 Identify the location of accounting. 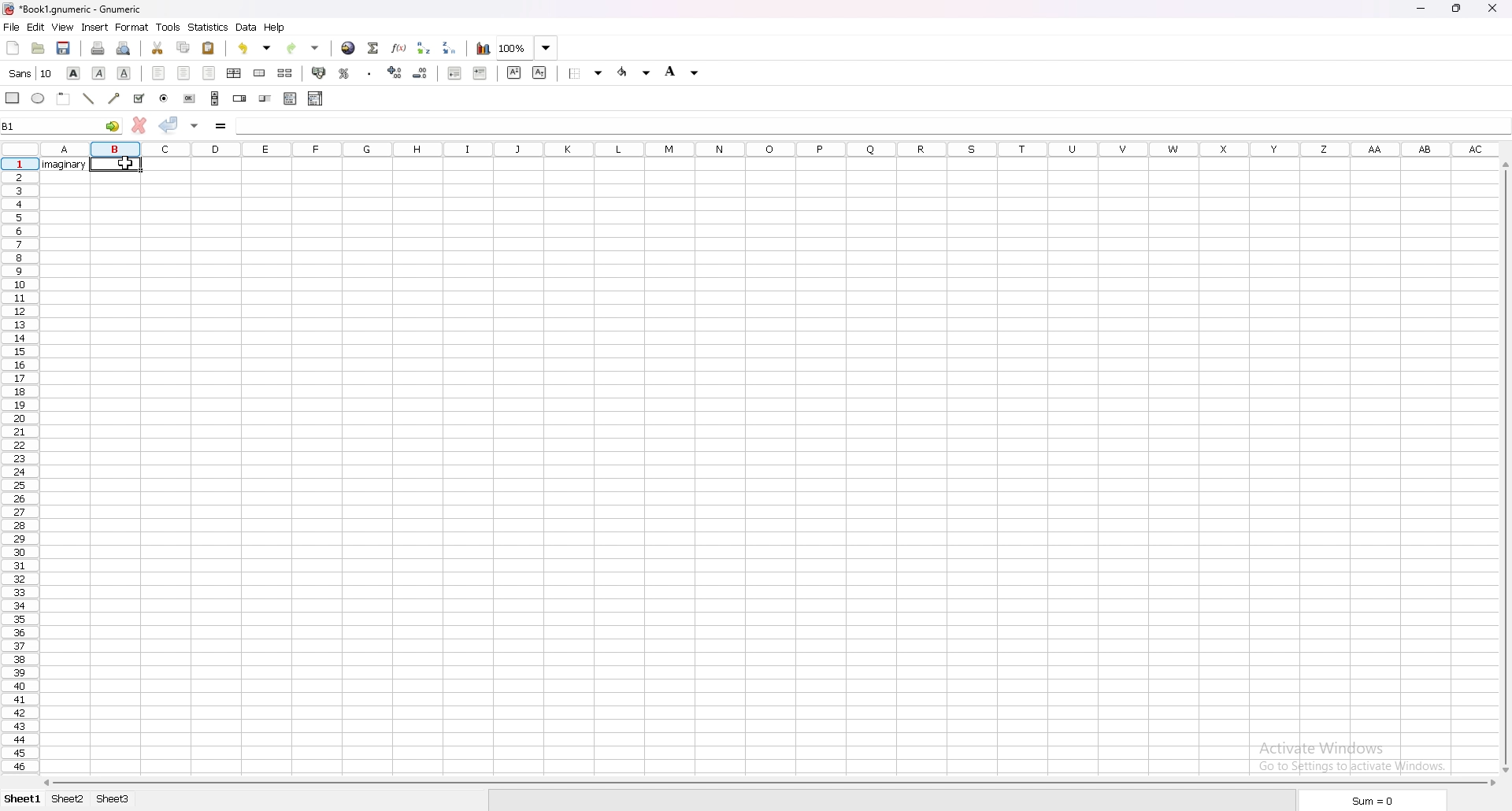
(319, 74).